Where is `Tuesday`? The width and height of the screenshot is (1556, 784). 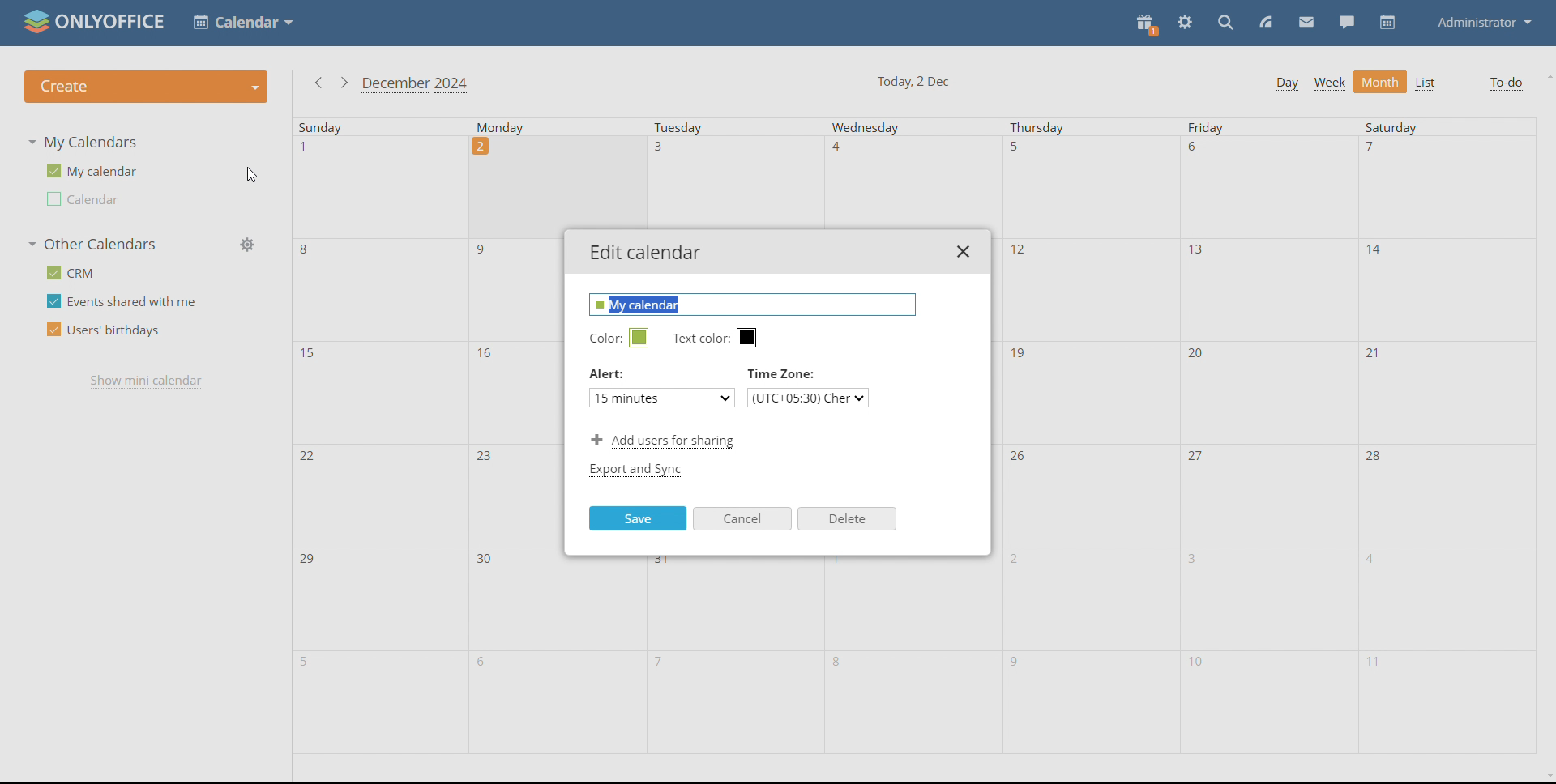 Tuesday is located at coordinates (730, 126).